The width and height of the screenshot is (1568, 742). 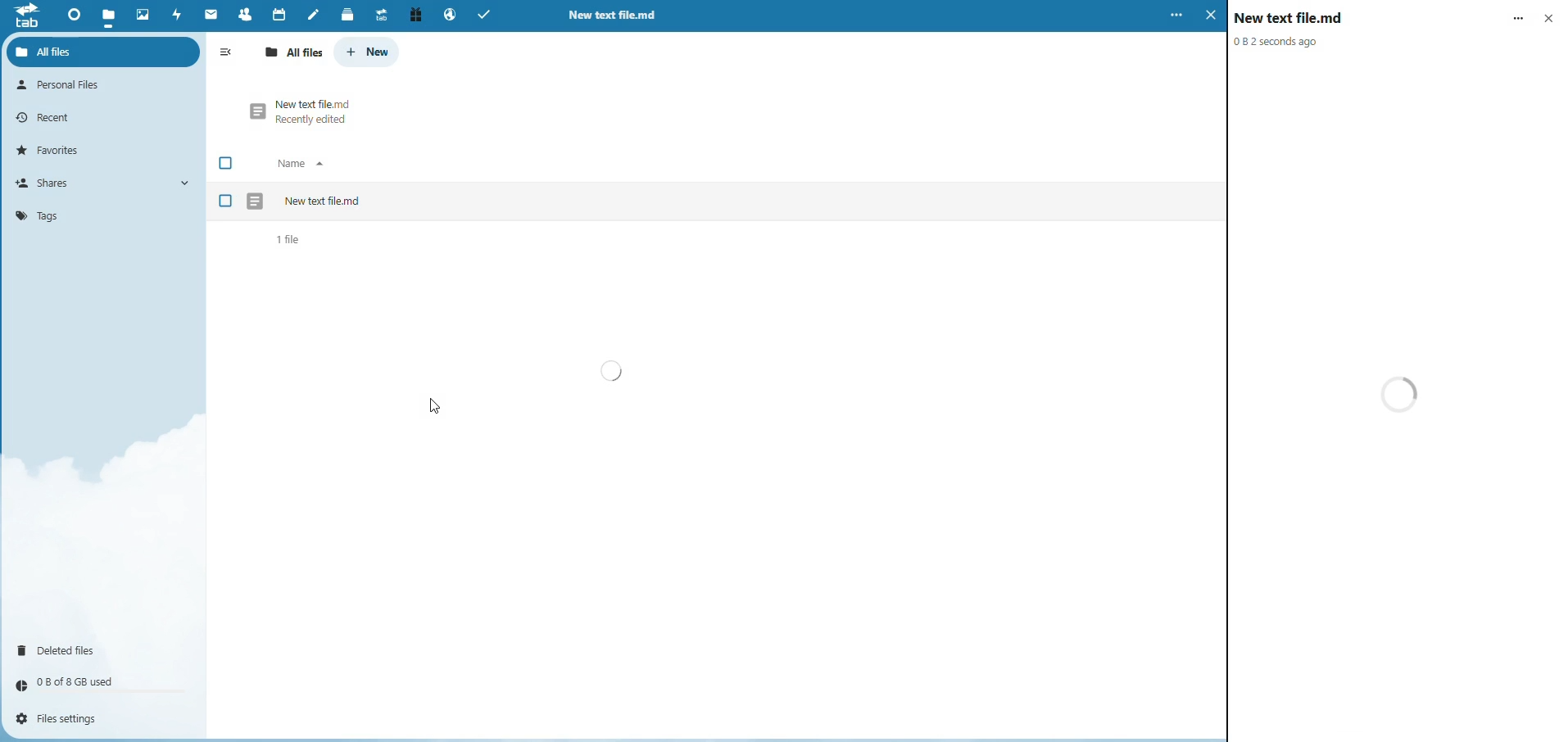 I want to click on All Files, so click(x=63, y=51).